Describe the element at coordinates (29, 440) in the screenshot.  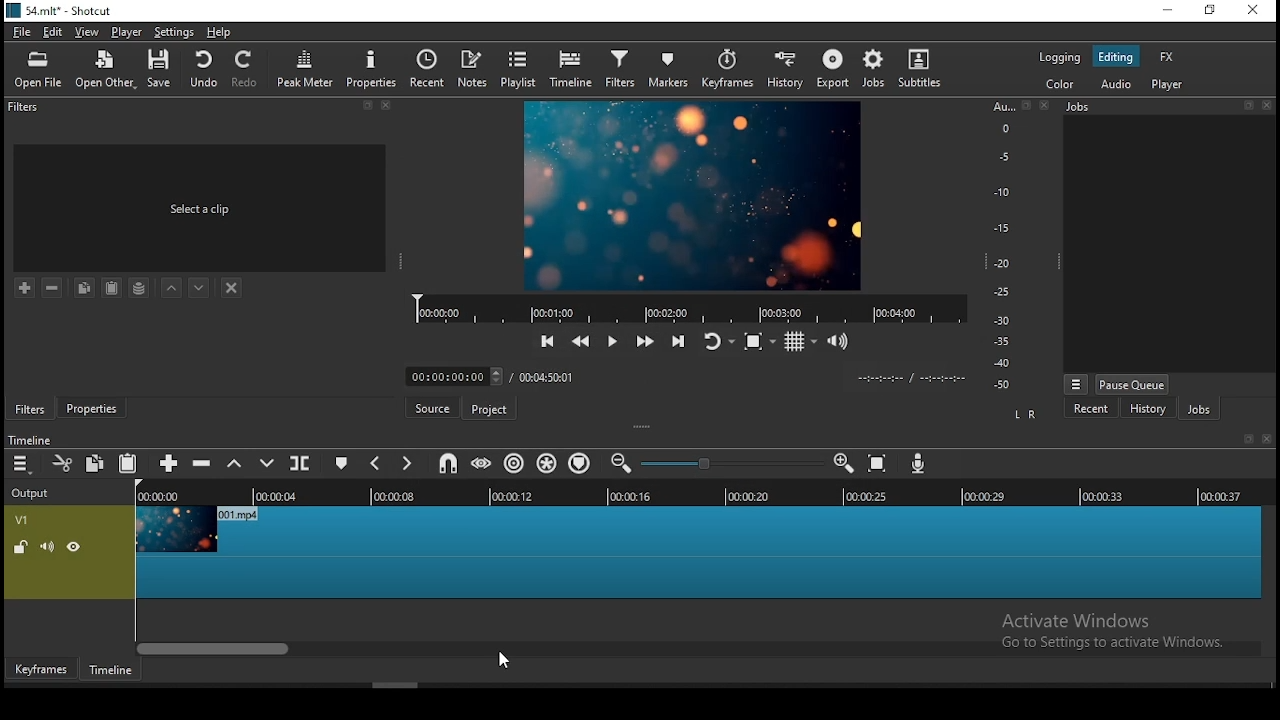
I see `timeline` at that location.